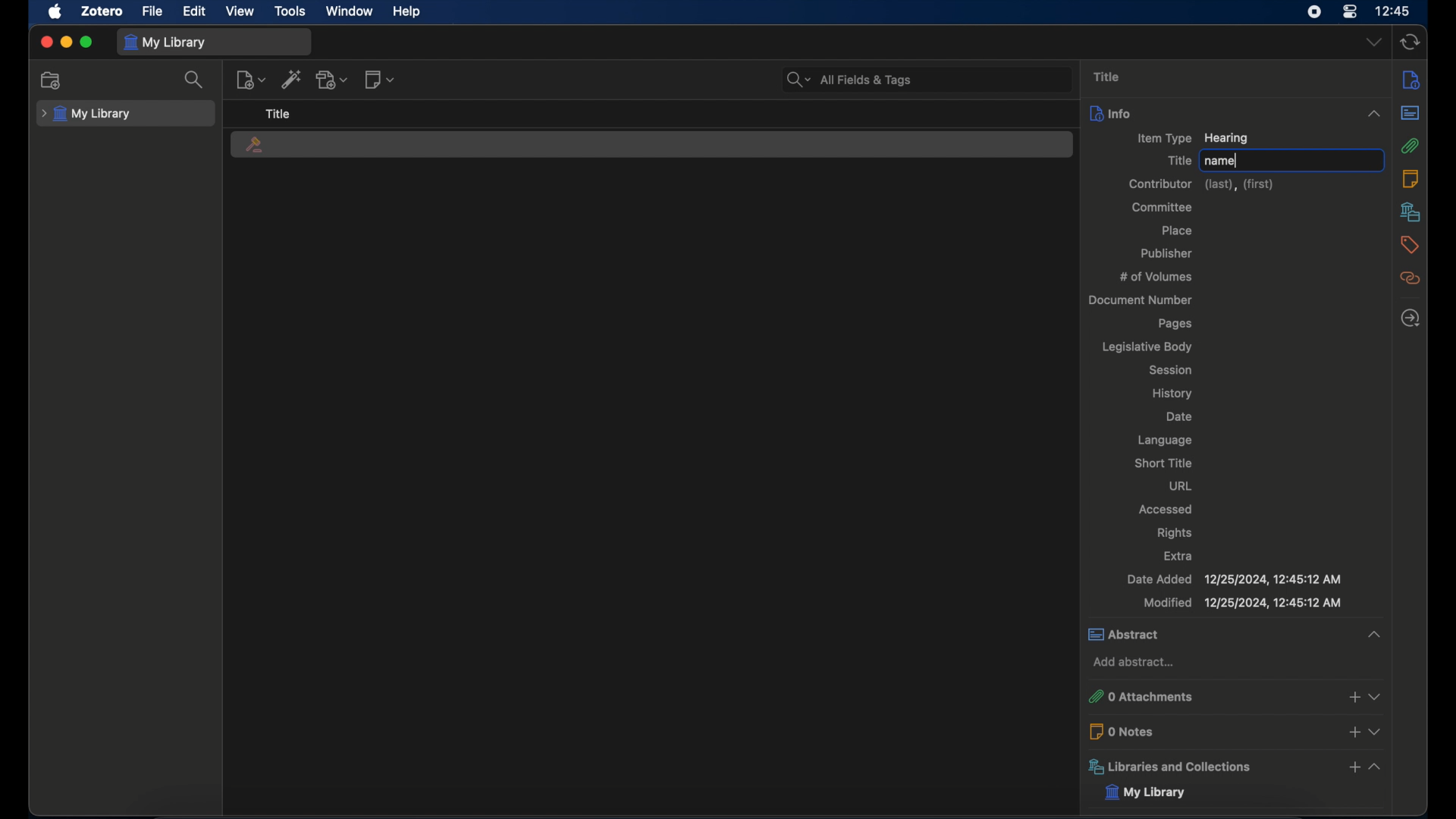 The height and width of the screenshot is (819, 1456). Describe the element at coordinates (196, 11) in the screenshot. I see `edit` at that location.